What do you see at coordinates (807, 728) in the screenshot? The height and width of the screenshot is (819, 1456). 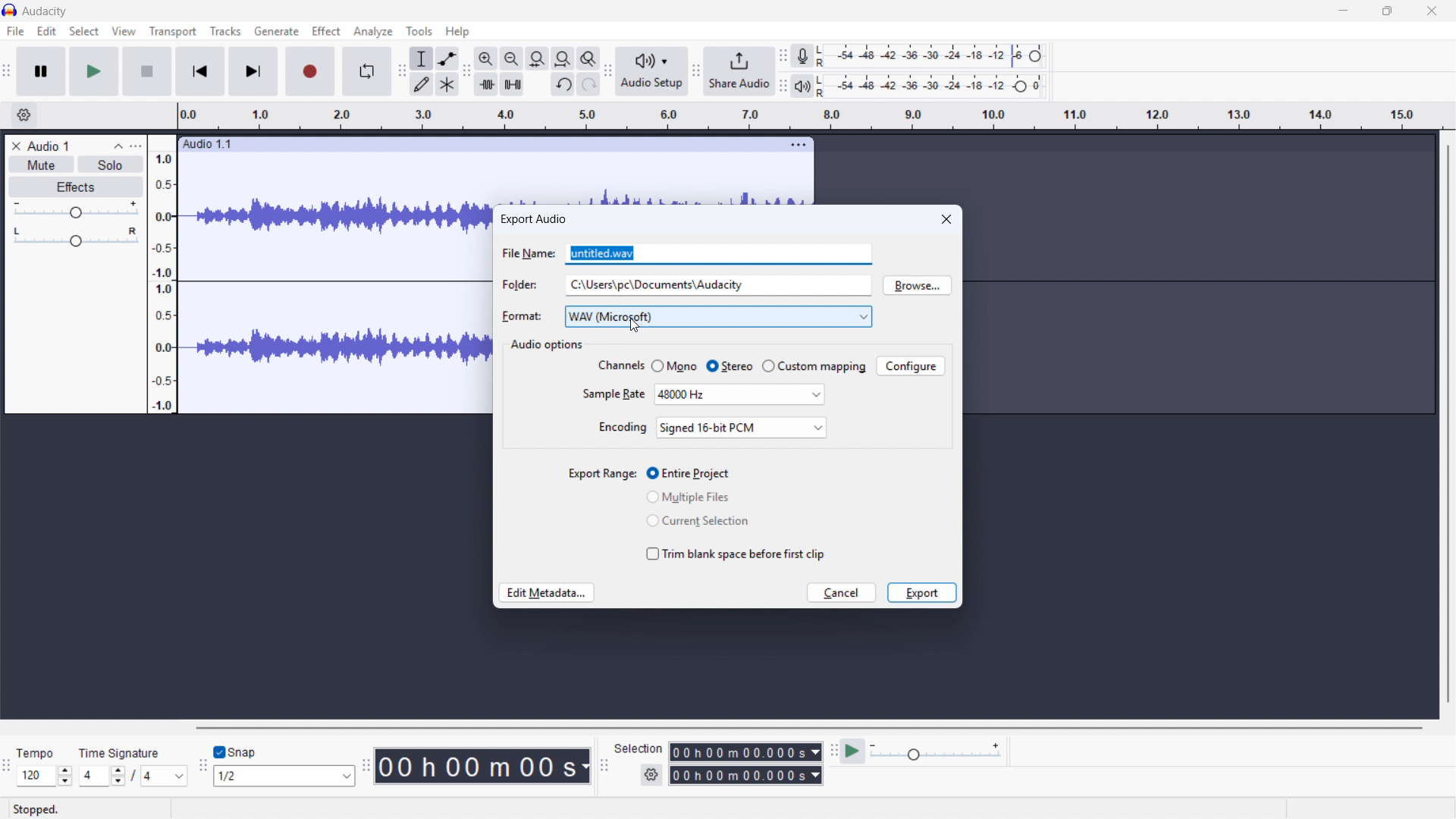 I see `Horizontal scroll bar ` at bounding box center [807, 728].